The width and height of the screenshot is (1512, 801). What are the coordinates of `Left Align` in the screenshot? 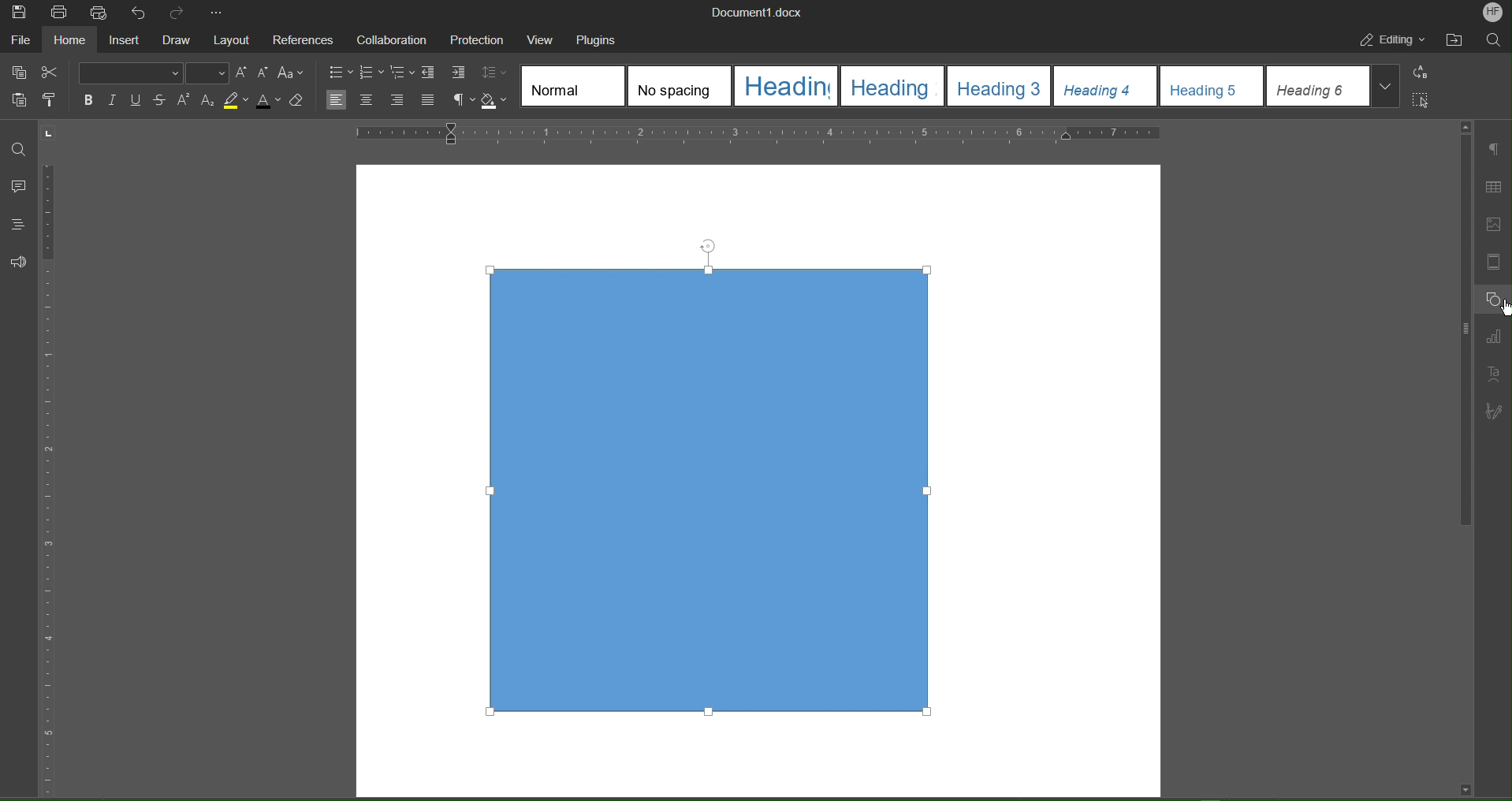 It's located at (338, 101).